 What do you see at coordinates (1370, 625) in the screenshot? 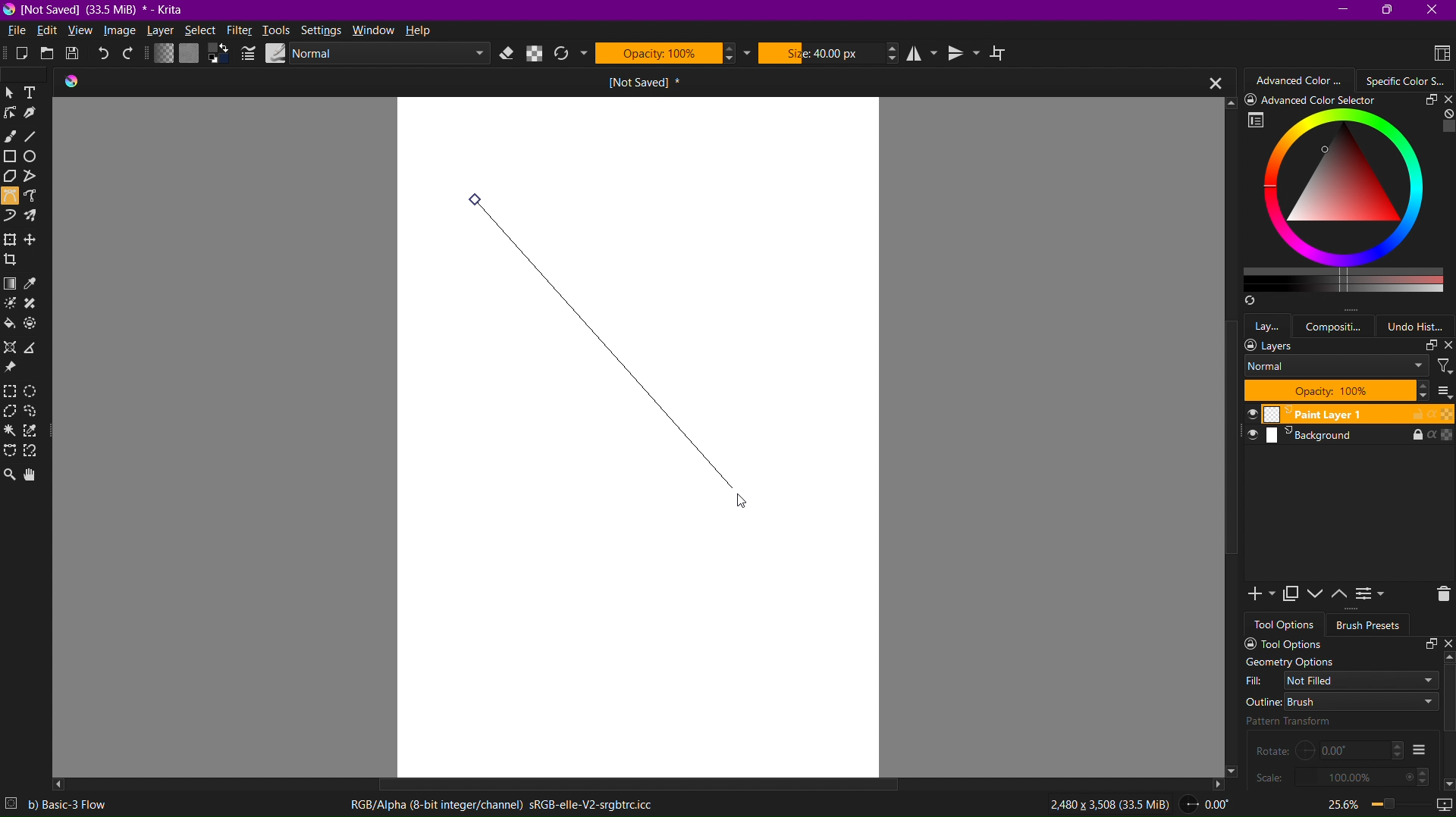
I see `Brush Presets` at bounding box center [1370, 625].